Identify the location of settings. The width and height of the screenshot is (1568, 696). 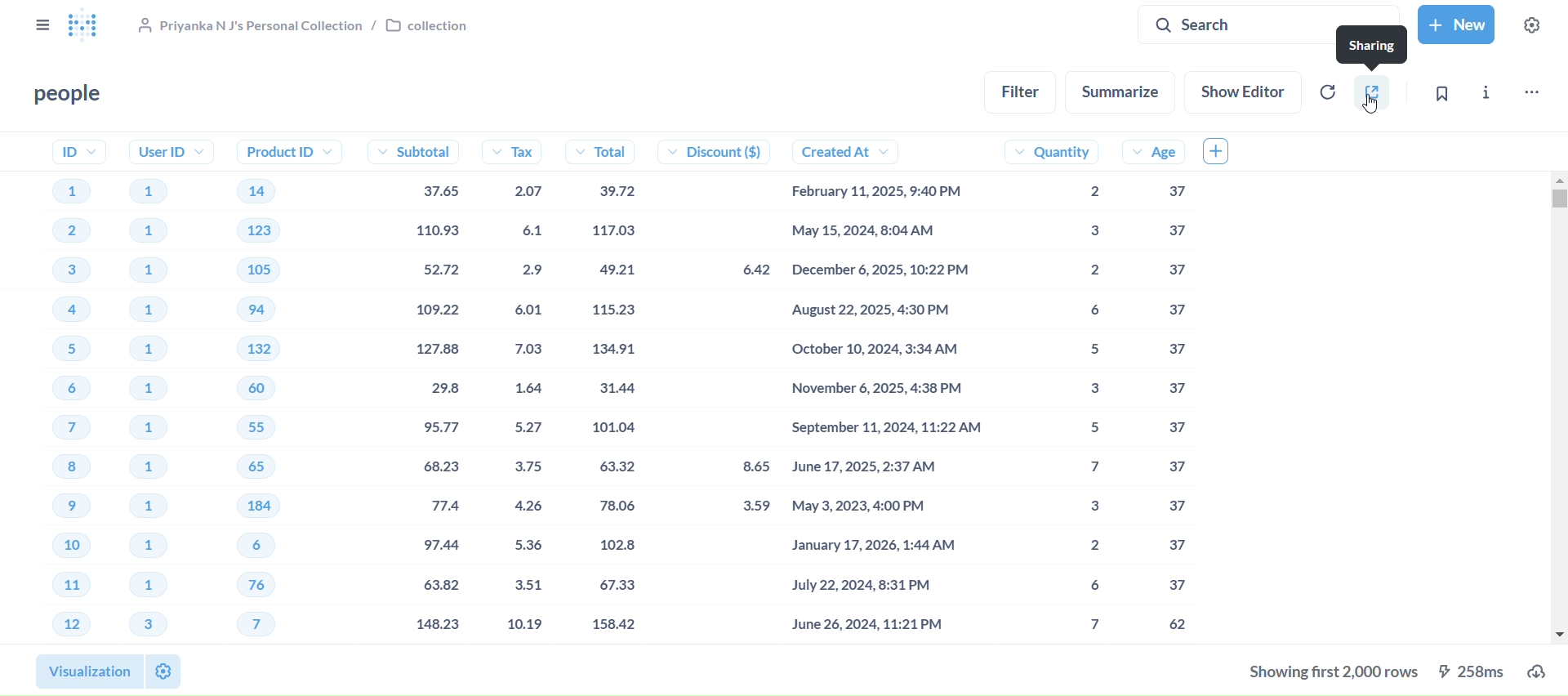
(164, 671).